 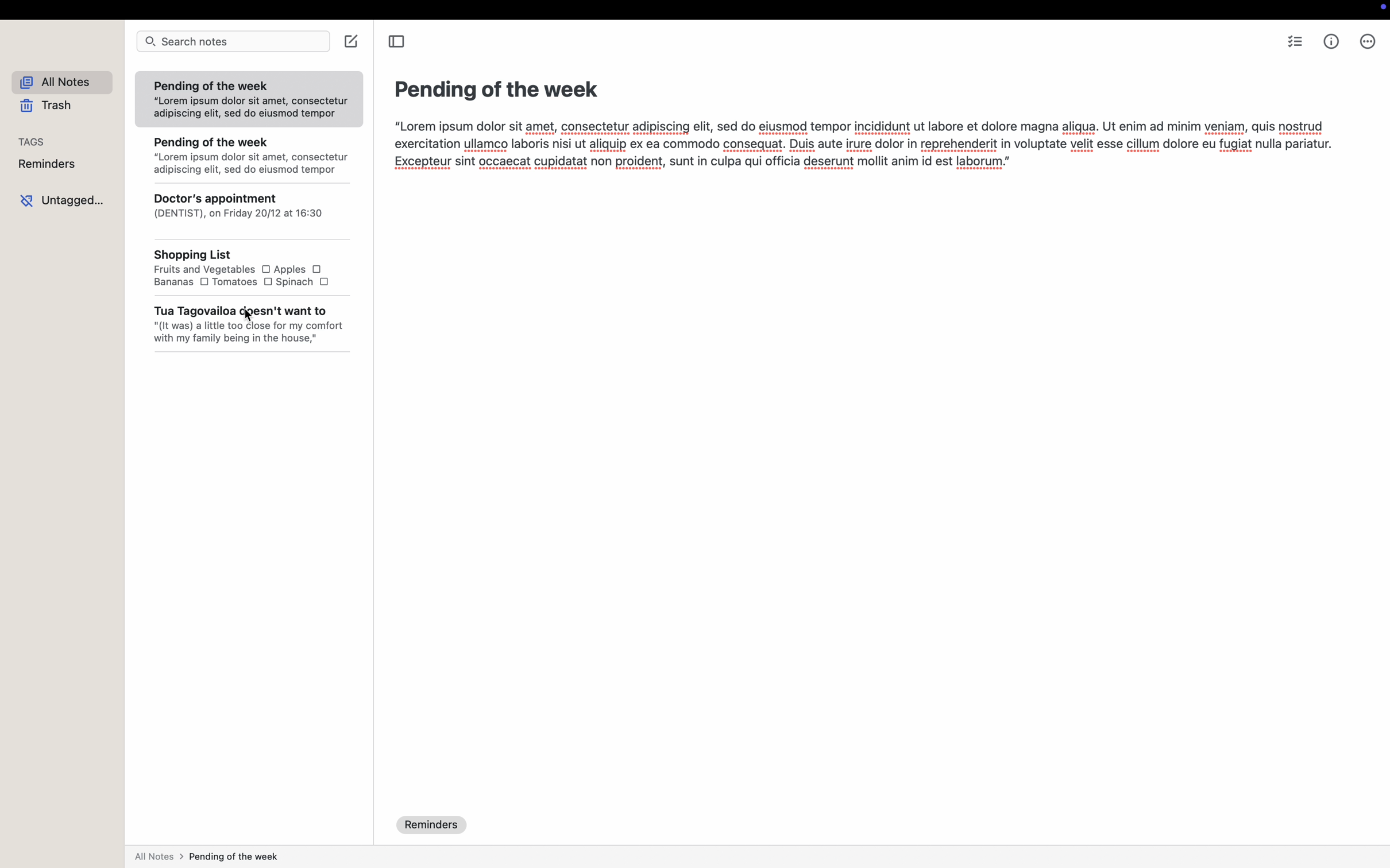 I want to click on cursor, so click(x=244, y=314).